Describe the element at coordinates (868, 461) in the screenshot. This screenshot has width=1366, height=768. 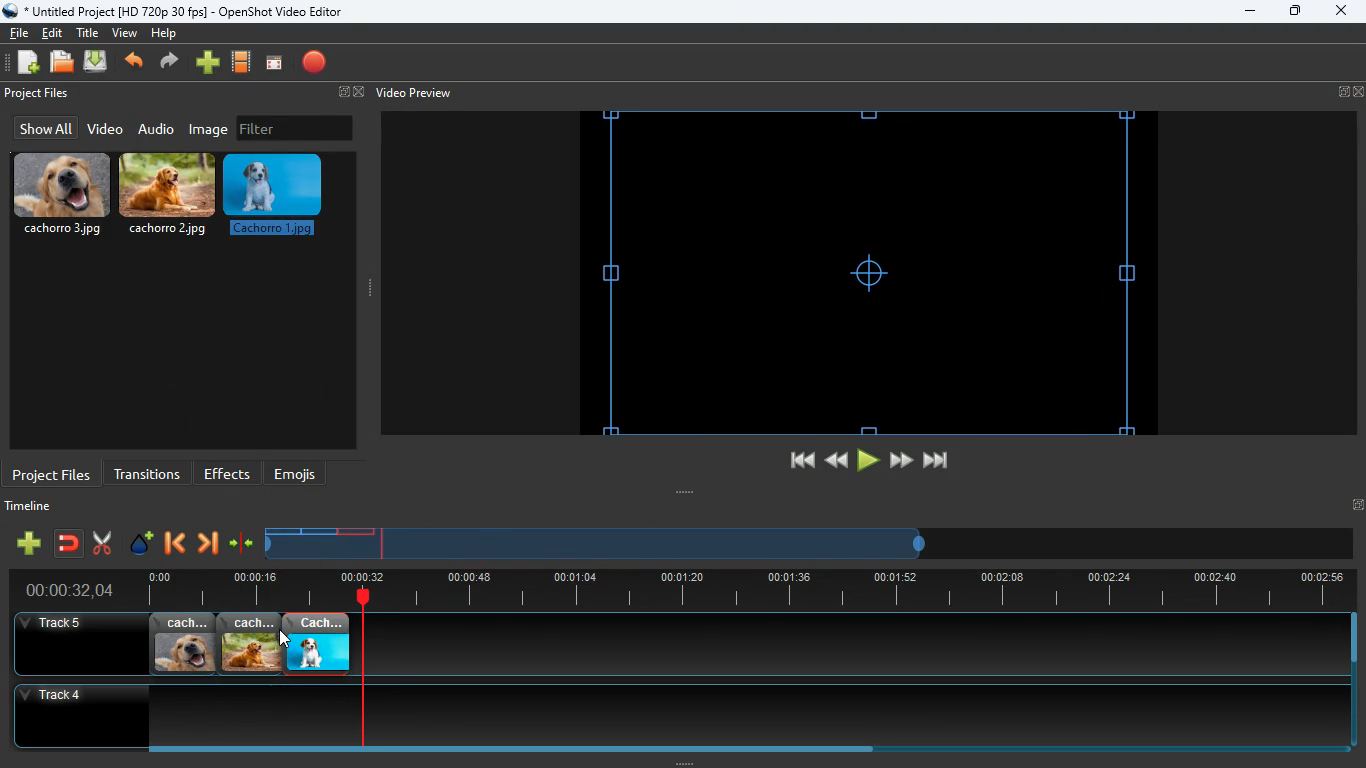
I see `play` at that location.